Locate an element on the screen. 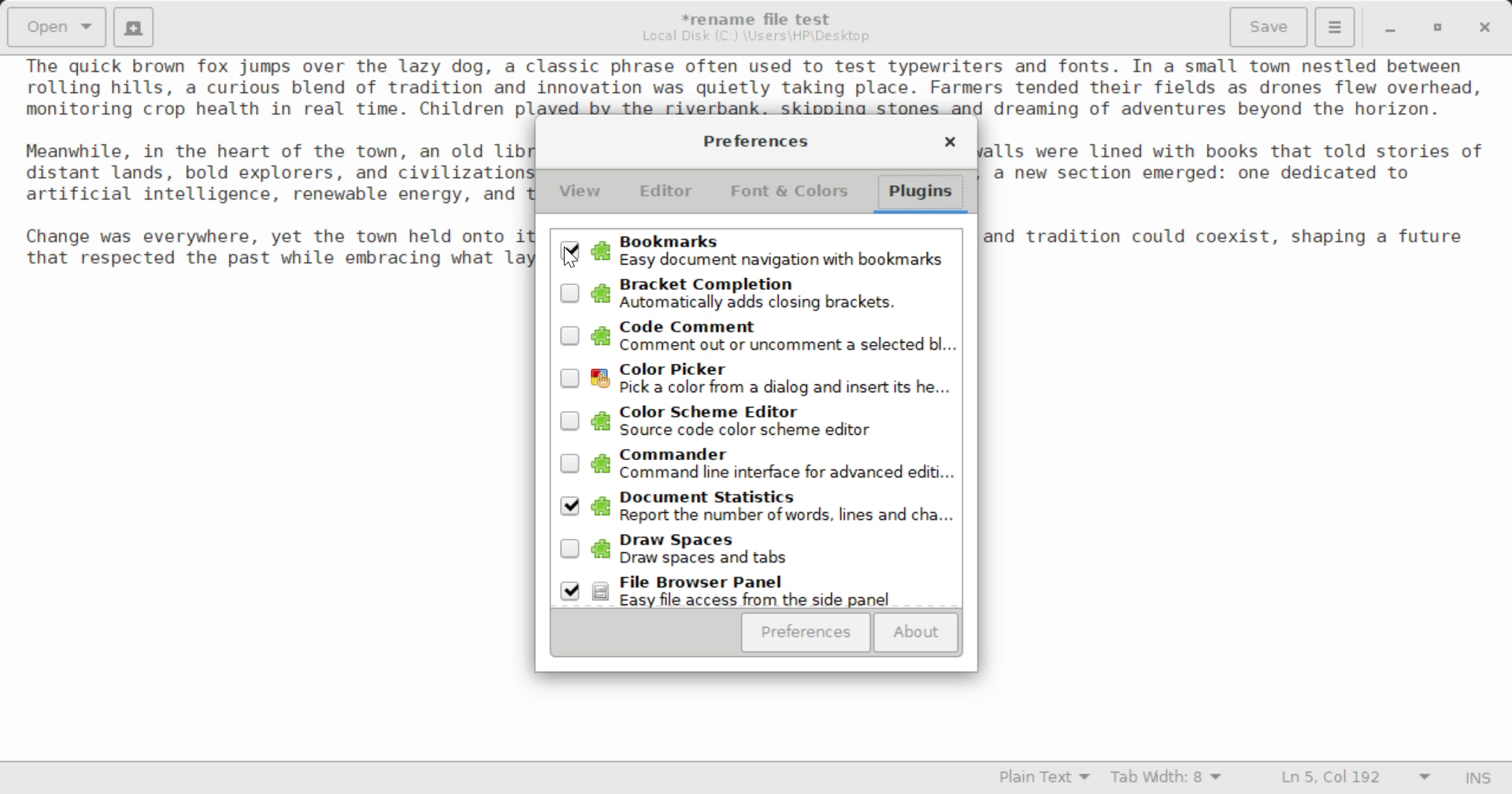 Image resolution: width=1512 pixels, height=794 pixels. Selected Language is located at coordinates (1045, 779).